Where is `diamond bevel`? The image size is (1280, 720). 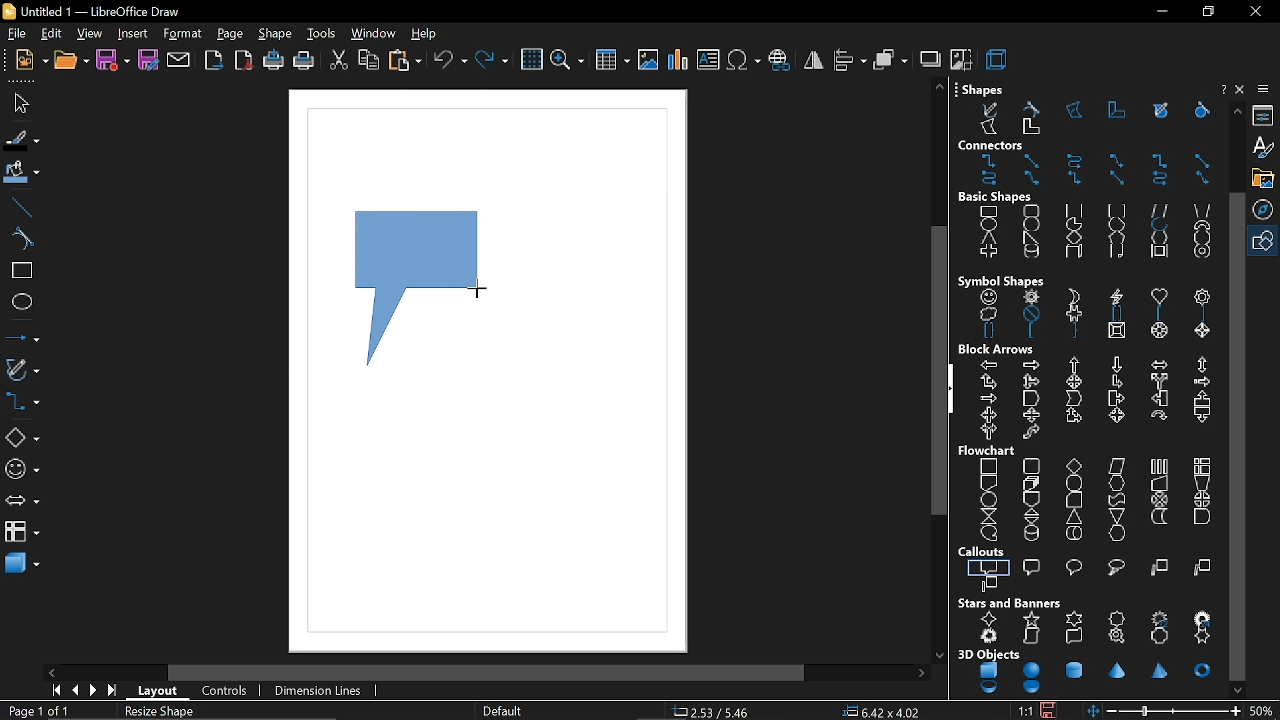 diamond bevel is located at coordinates (1201, 332).